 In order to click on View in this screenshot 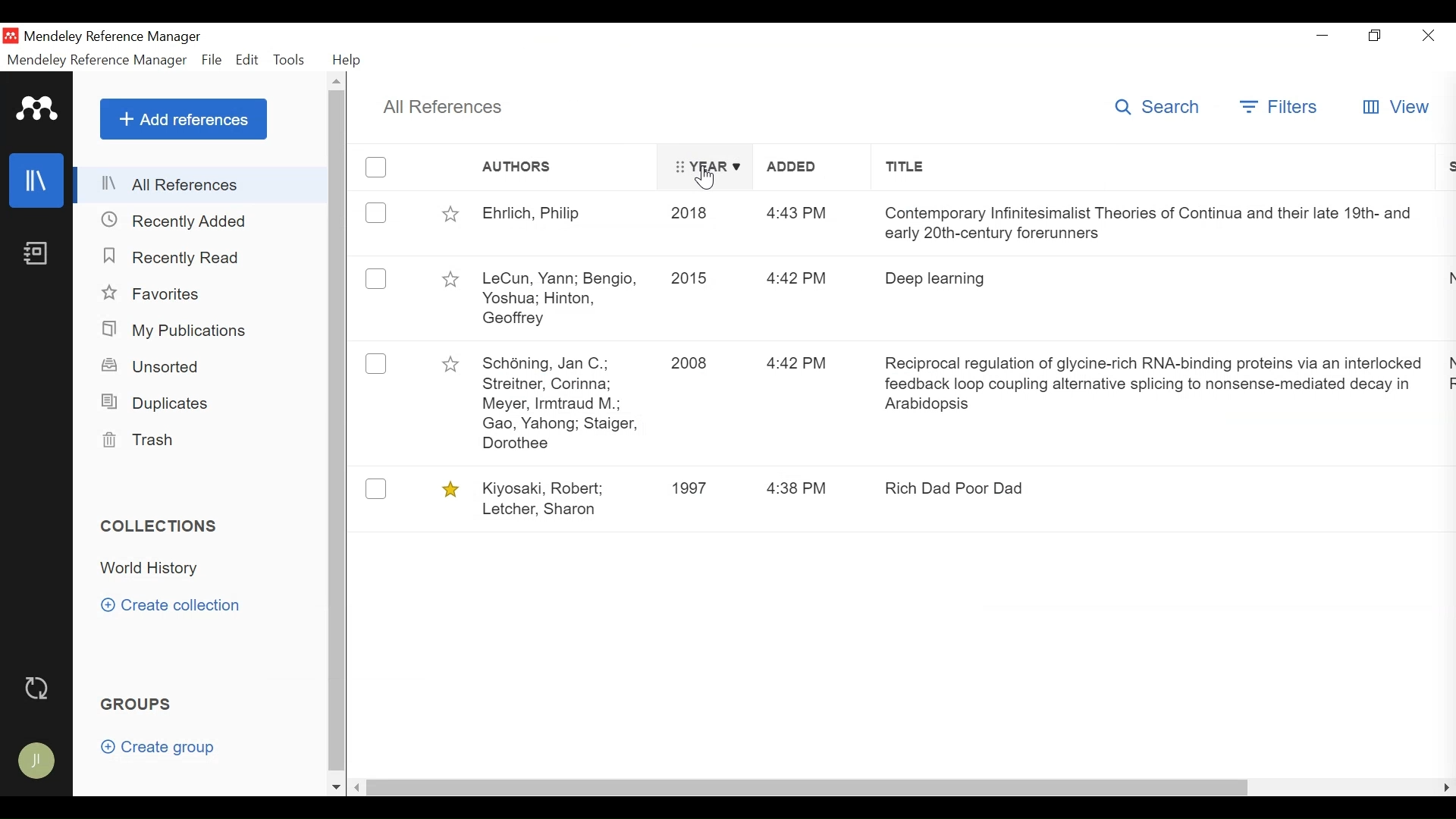, I will do `click(1395, 106)`.